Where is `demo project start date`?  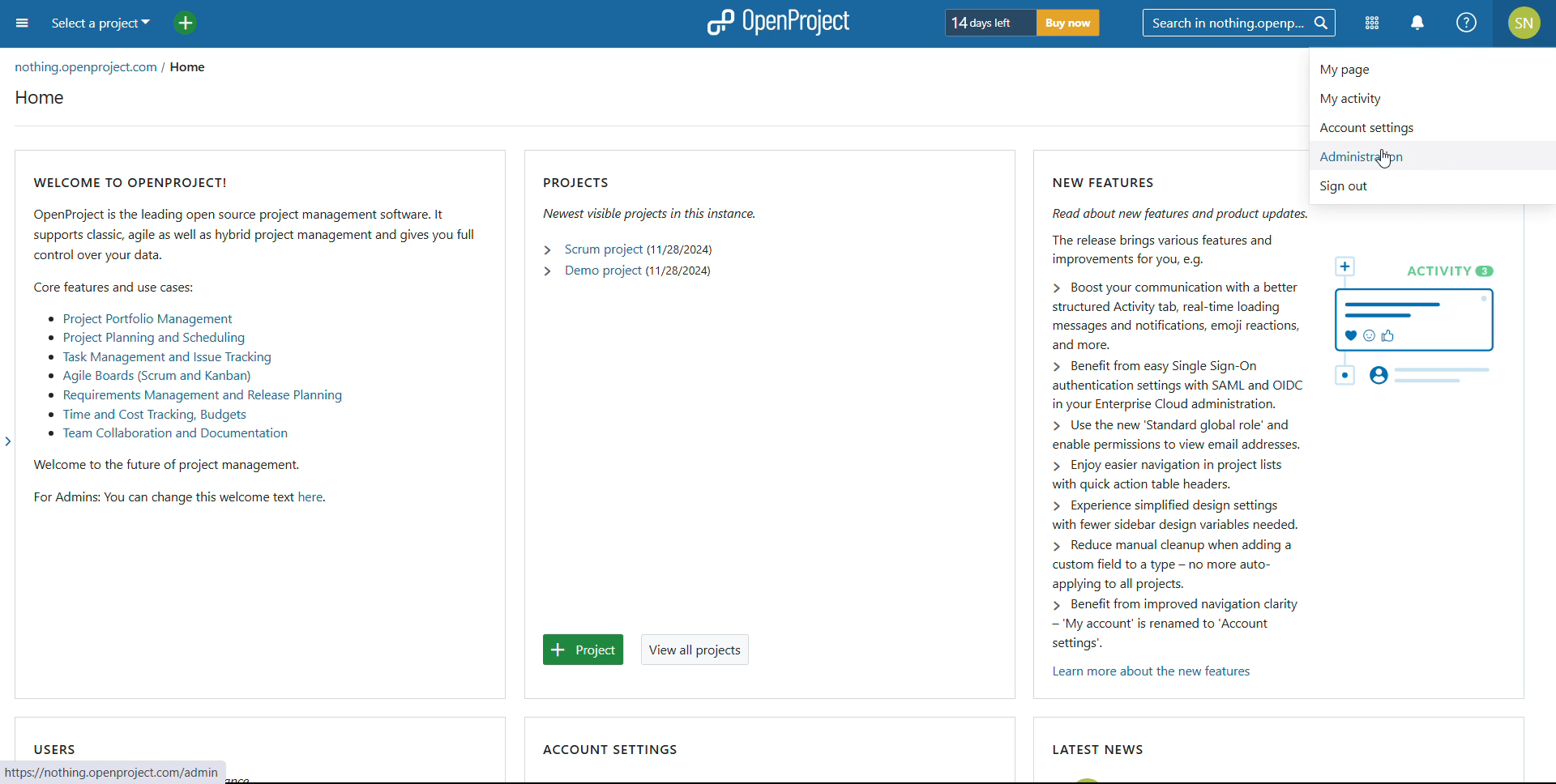
demo project start date is located at coordinates (680, 271).